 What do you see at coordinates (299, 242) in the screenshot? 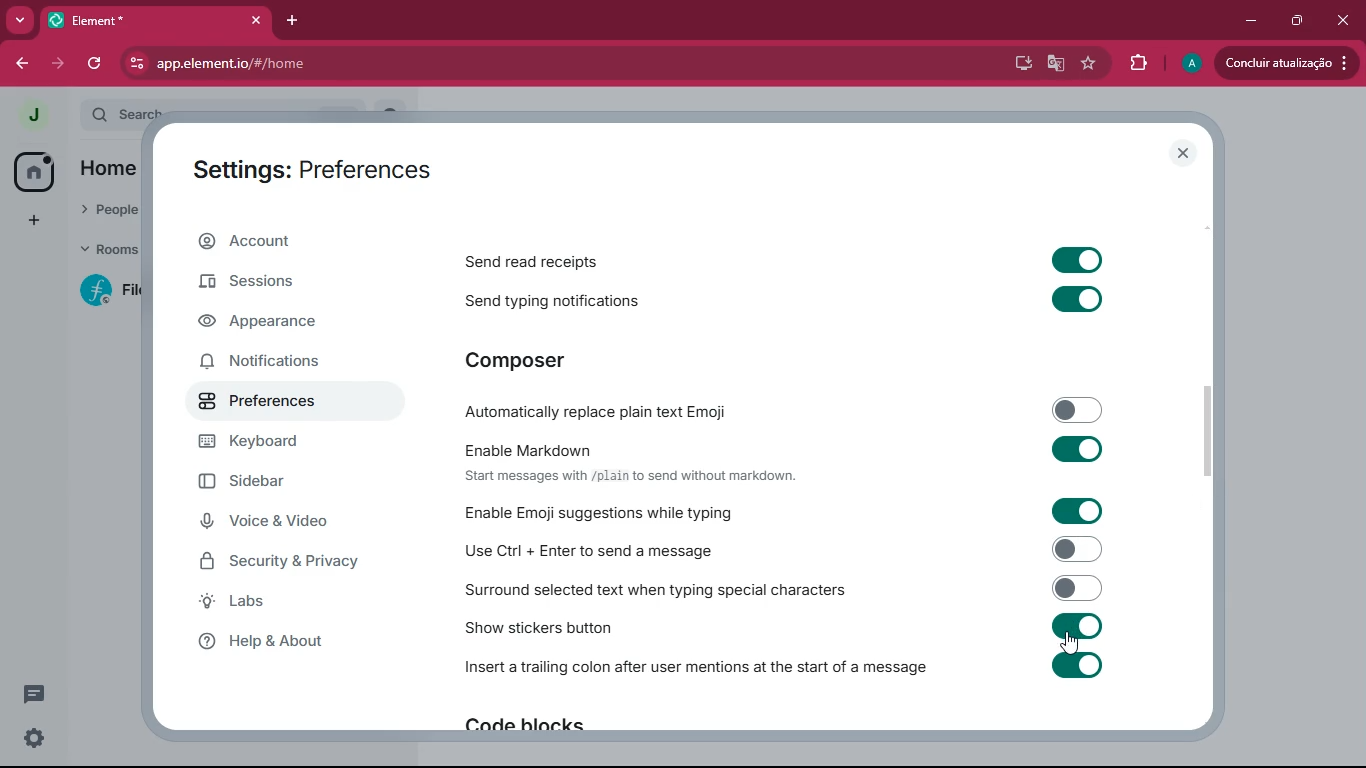
I see `account` at bounding box center [299, 242].